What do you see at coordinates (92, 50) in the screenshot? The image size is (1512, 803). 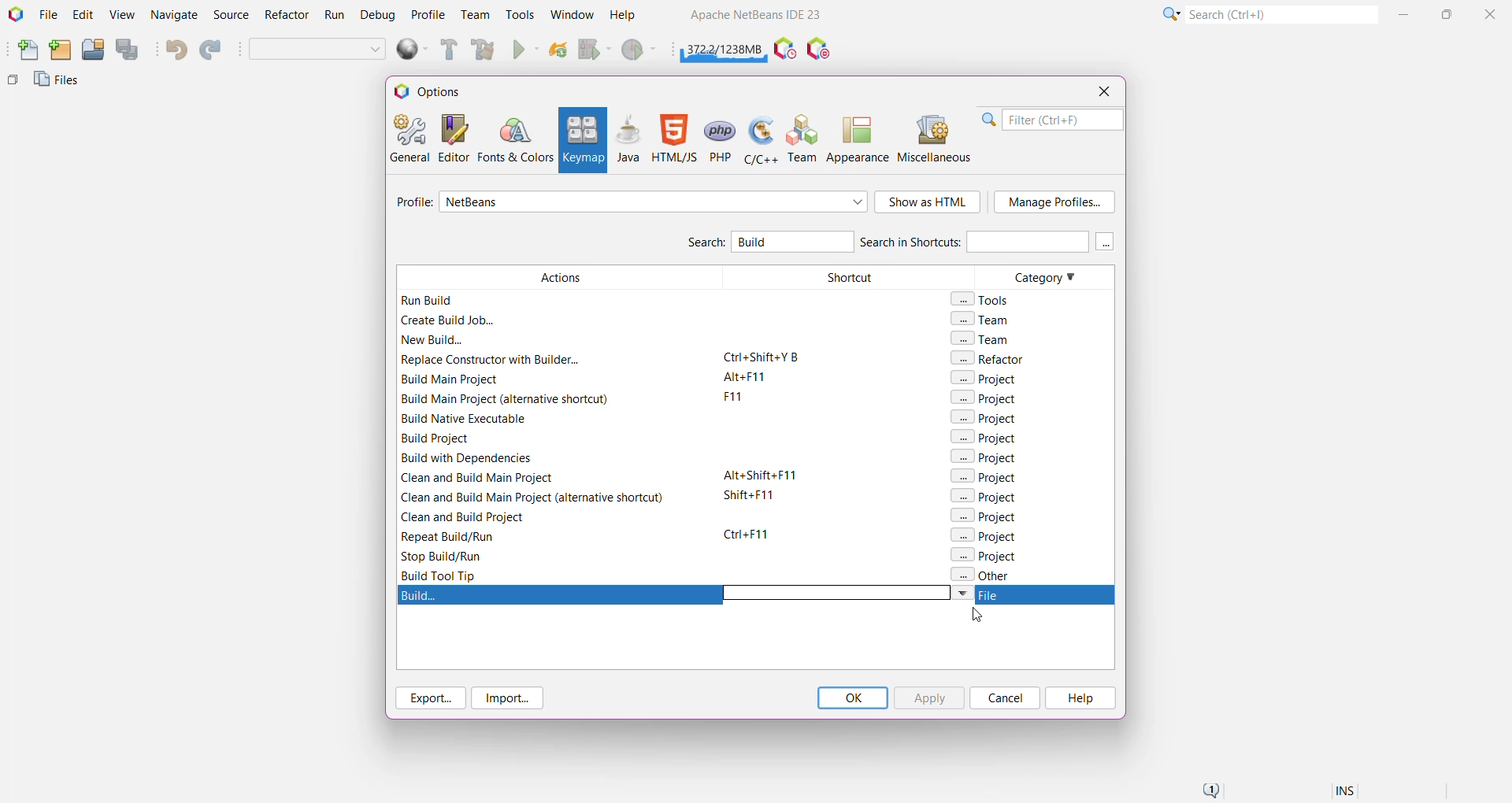 I see `Open Project` at bounding box center [92, 50].